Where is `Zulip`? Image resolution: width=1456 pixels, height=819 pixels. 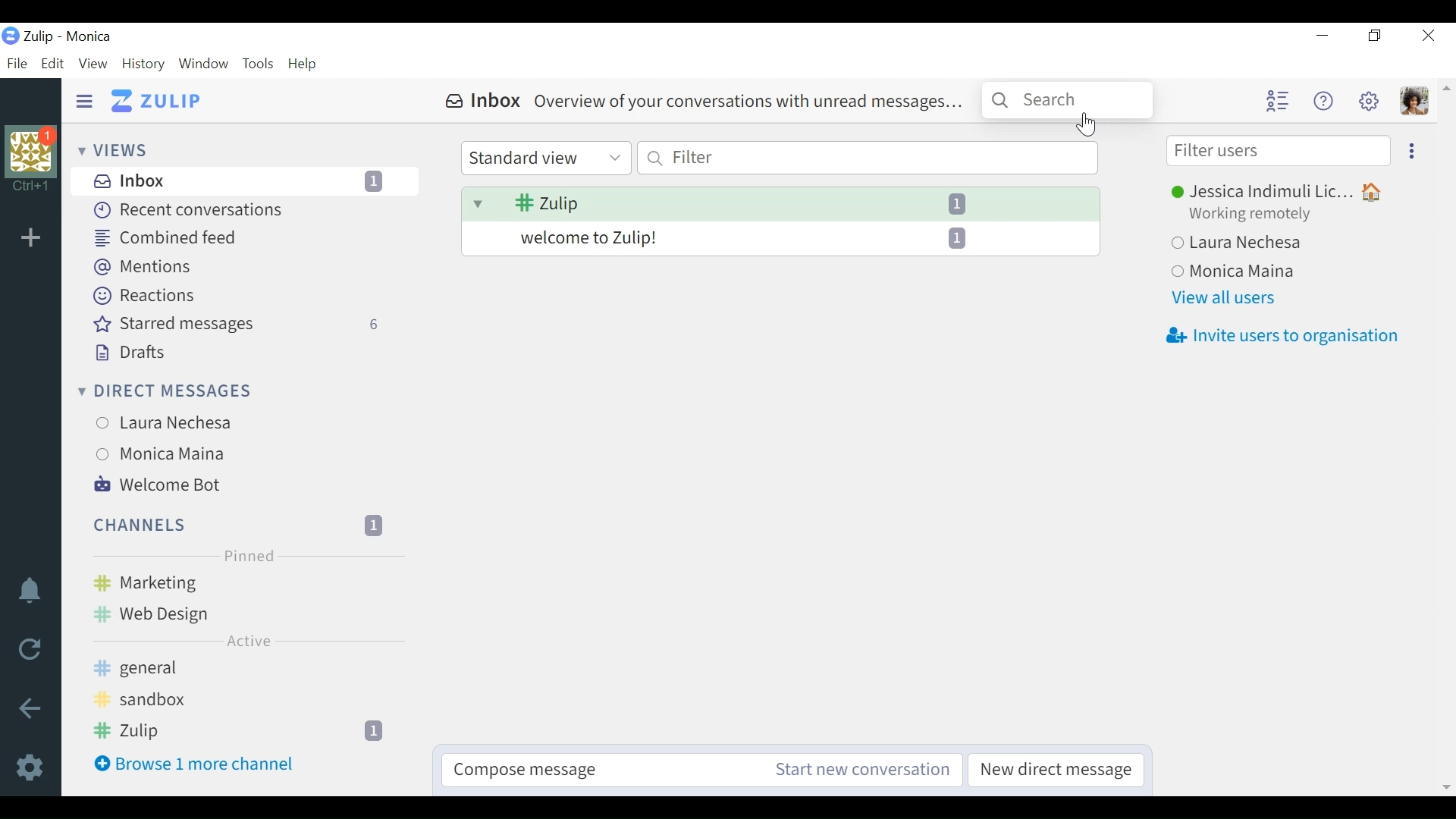
Zulip is located at coordinates (249, 731).